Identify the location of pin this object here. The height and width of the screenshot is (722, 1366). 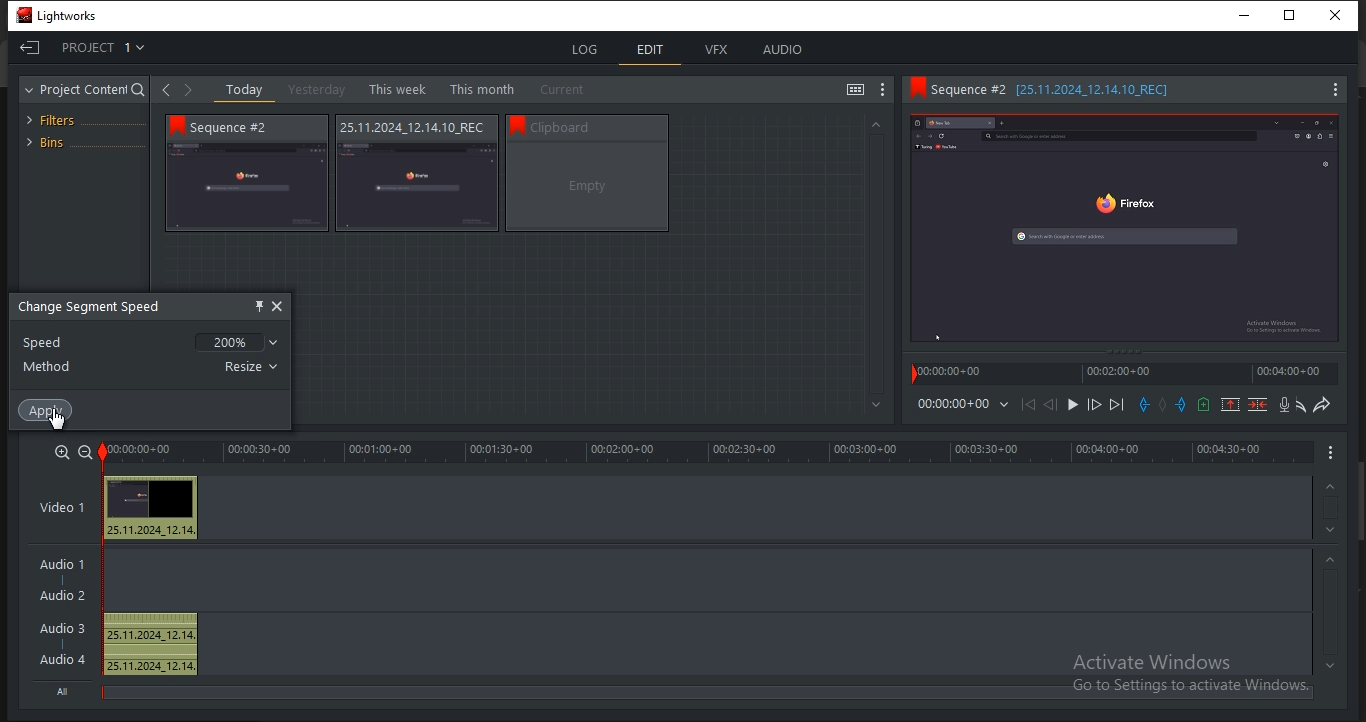
(260, 306).